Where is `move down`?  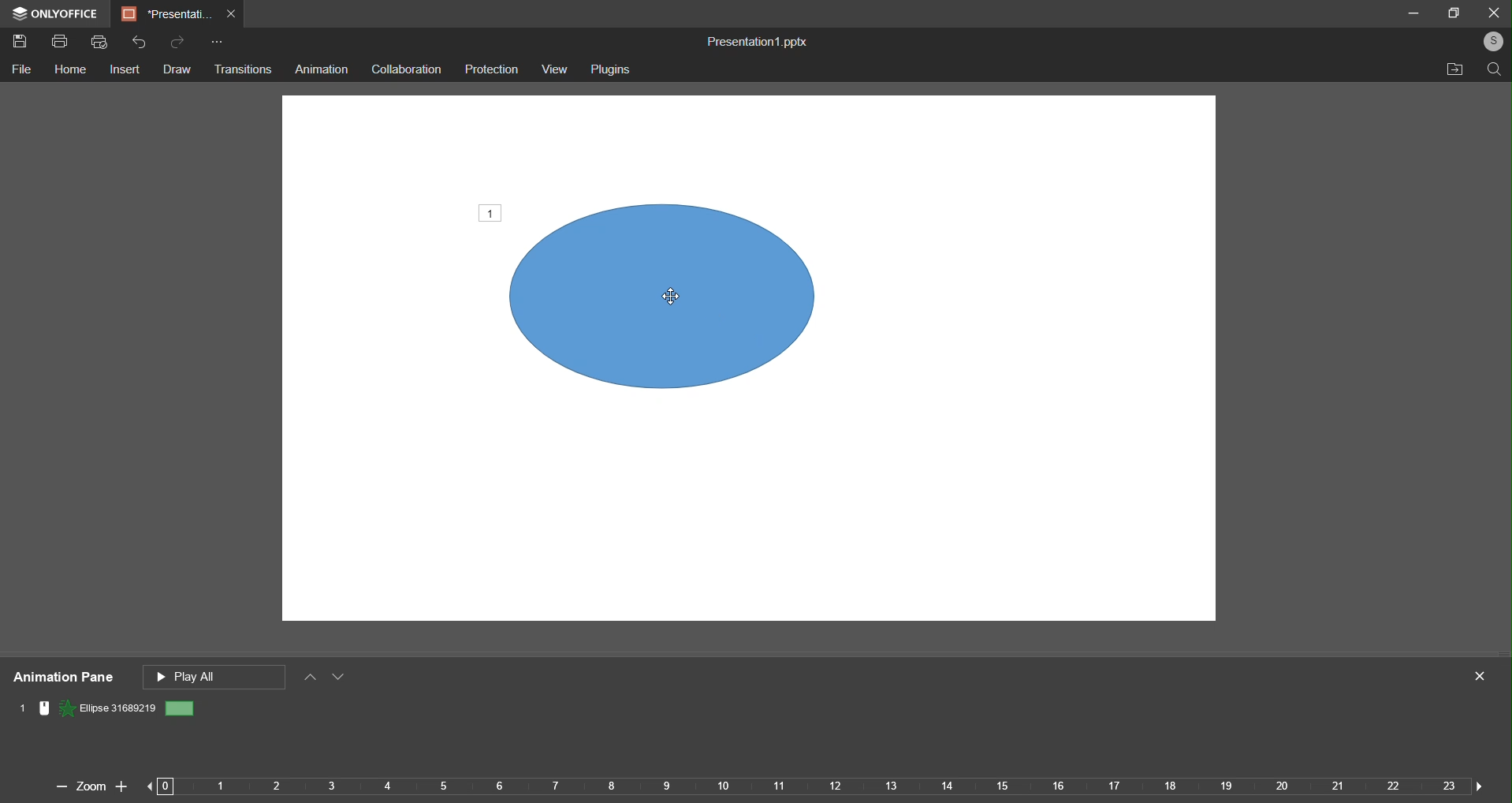 move down is located at coordinates (341, 679).